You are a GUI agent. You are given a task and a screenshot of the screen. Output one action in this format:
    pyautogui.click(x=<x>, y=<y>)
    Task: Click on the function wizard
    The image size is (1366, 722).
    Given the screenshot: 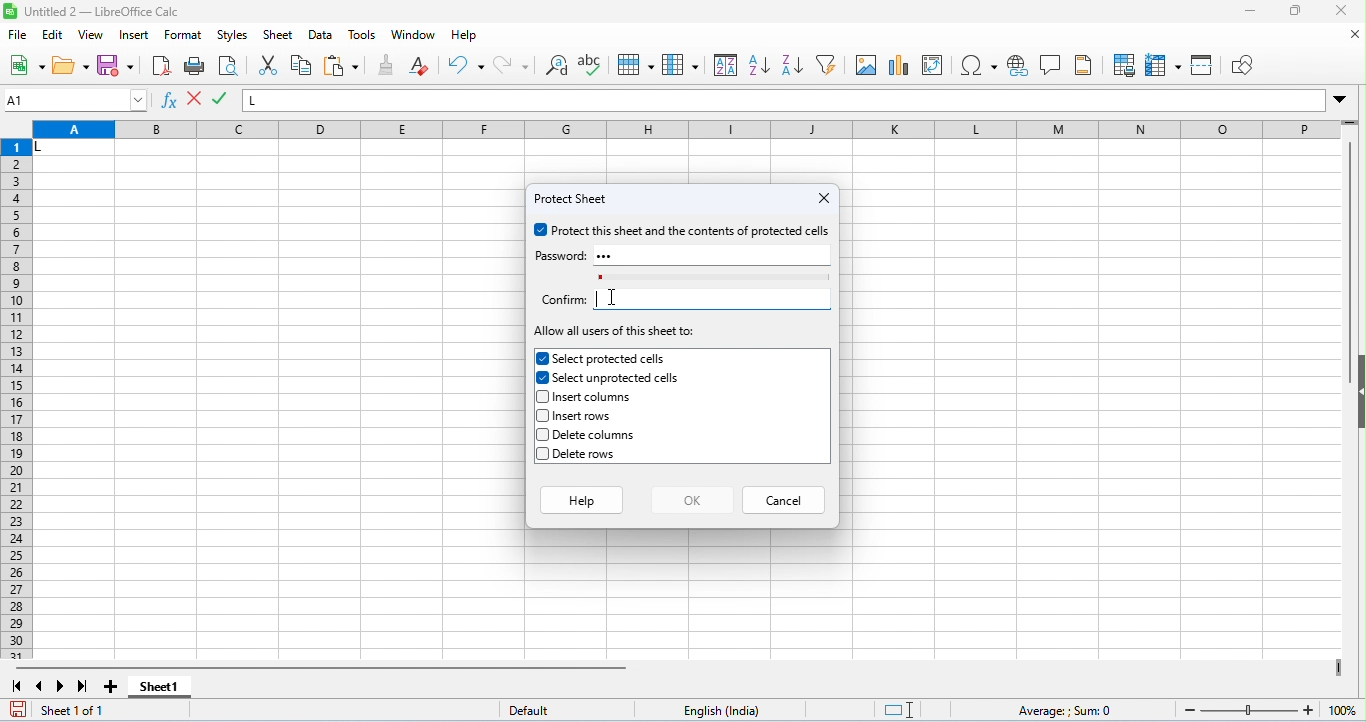 What is the action you would take?
    pyautogui.click(x=171, y=102)
    